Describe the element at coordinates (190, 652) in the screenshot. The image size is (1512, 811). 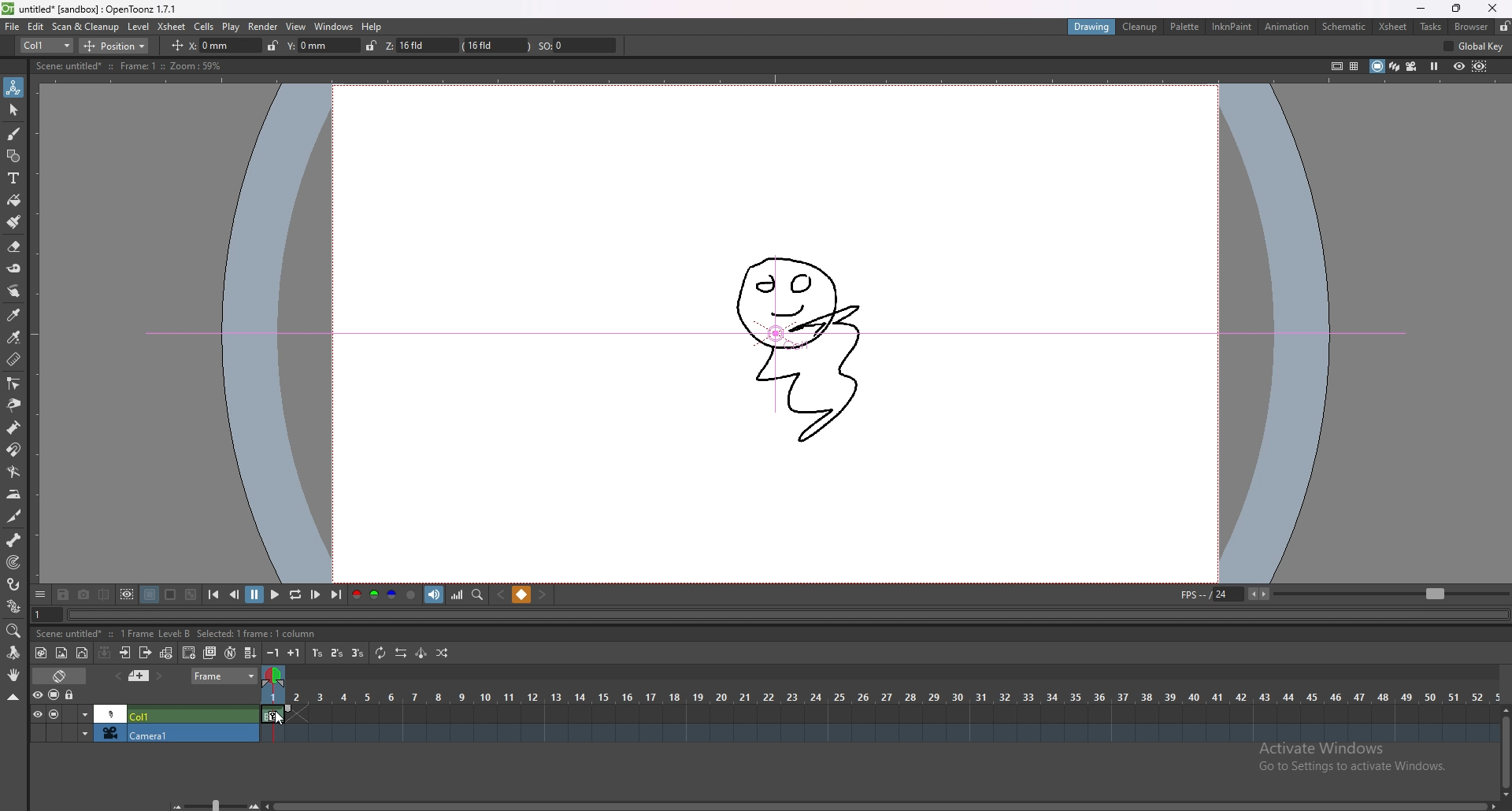
I see `create blank drawing` at that location.